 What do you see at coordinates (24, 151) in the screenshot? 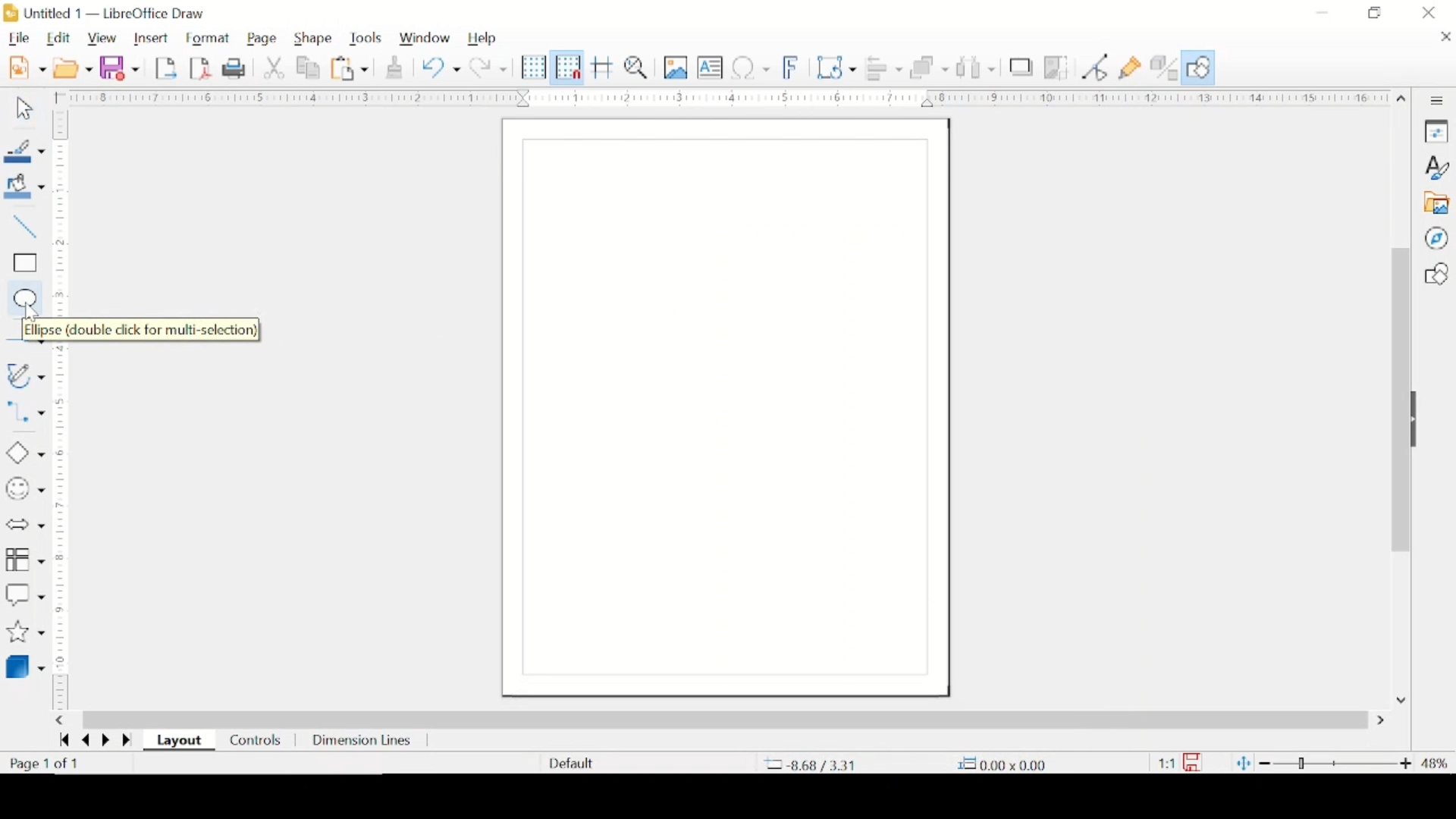
I see `line color` at bounding box center [24, 151].